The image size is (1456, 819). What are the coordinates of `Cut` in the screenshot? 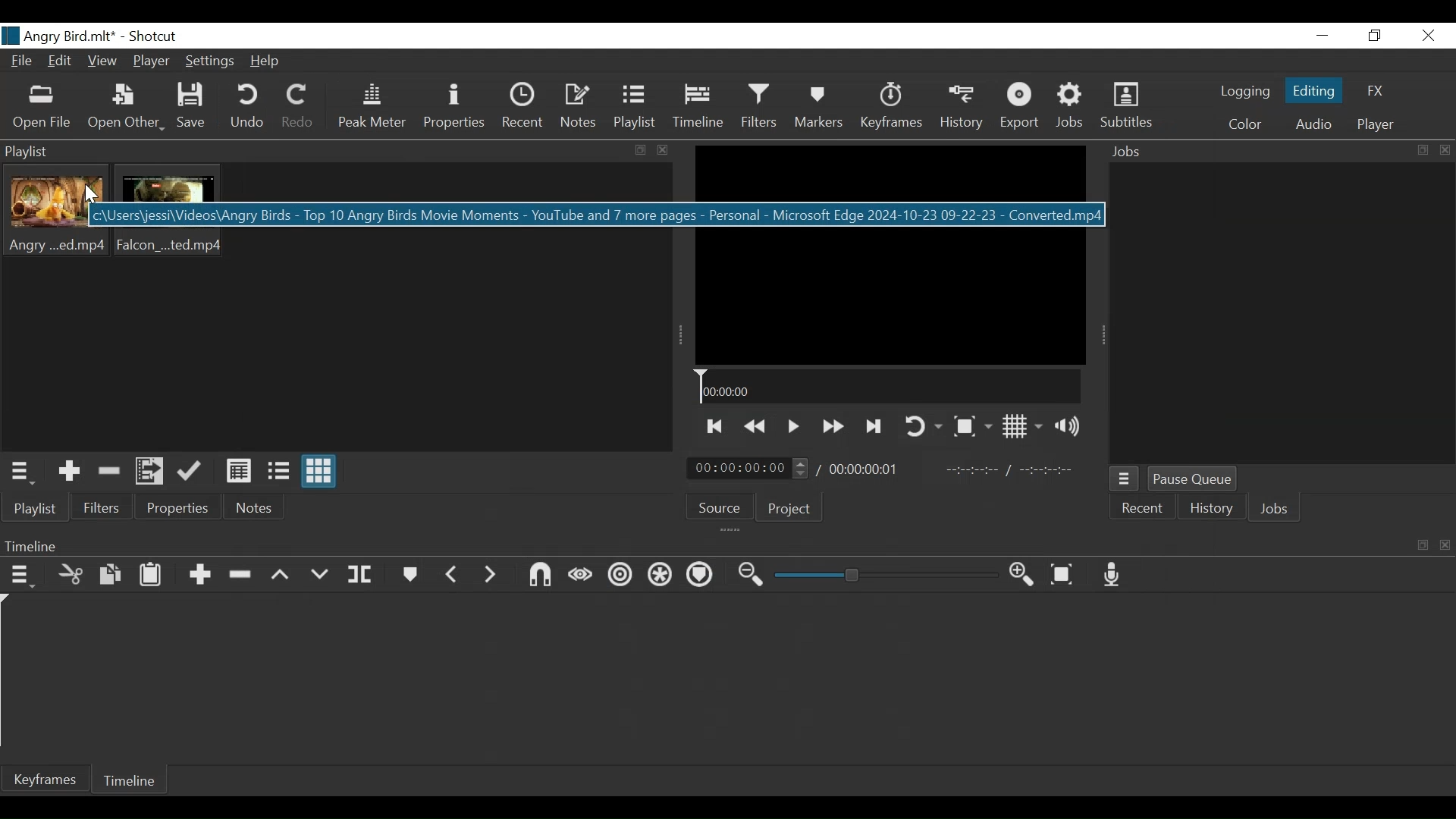 It's located at (71, 576).